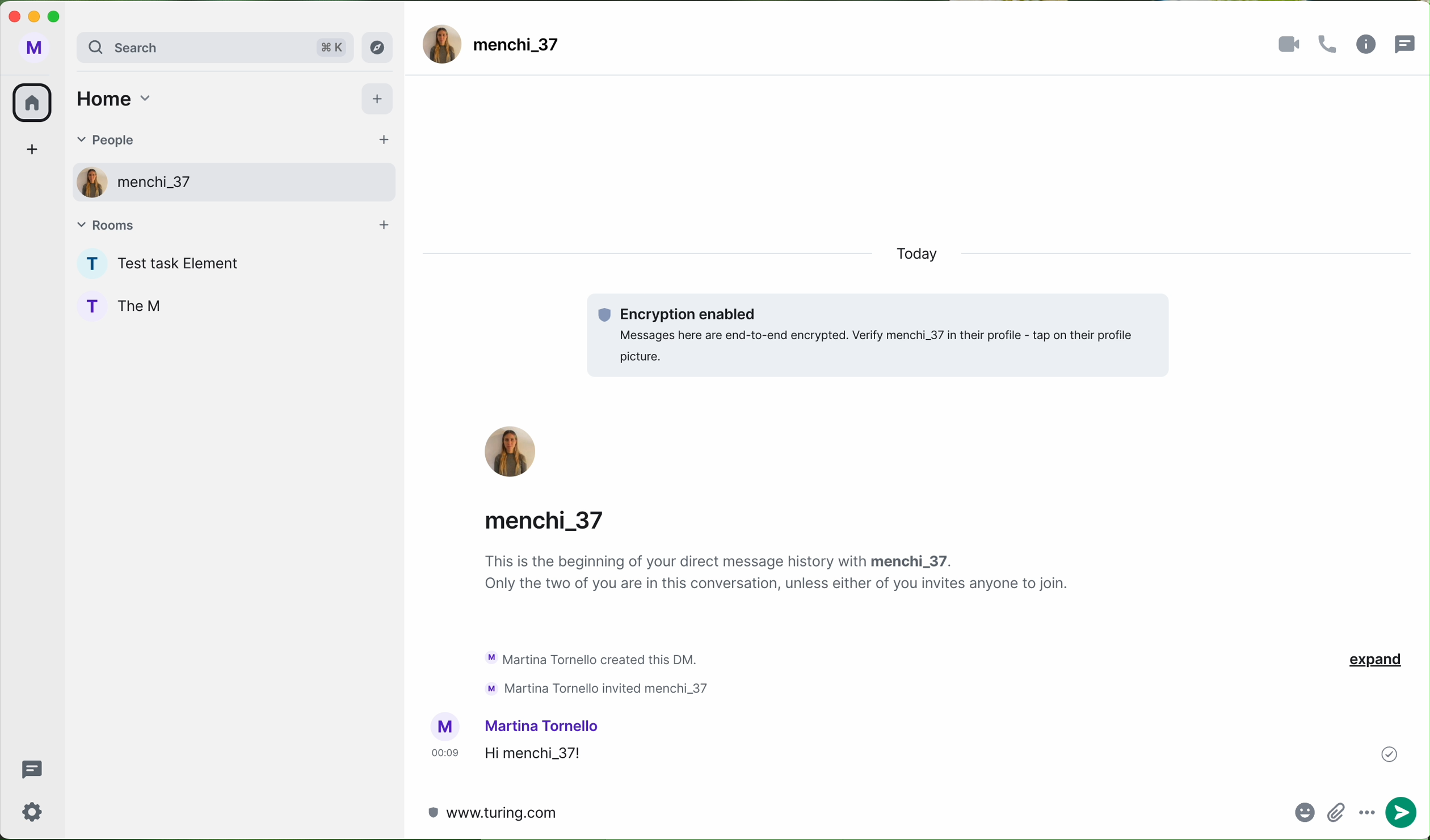 This screenshot has width=1430, height=840. What do you see at coordinates (188, 265) in the screenshot?
I see `The task Element` at bounding box center [188, 265].